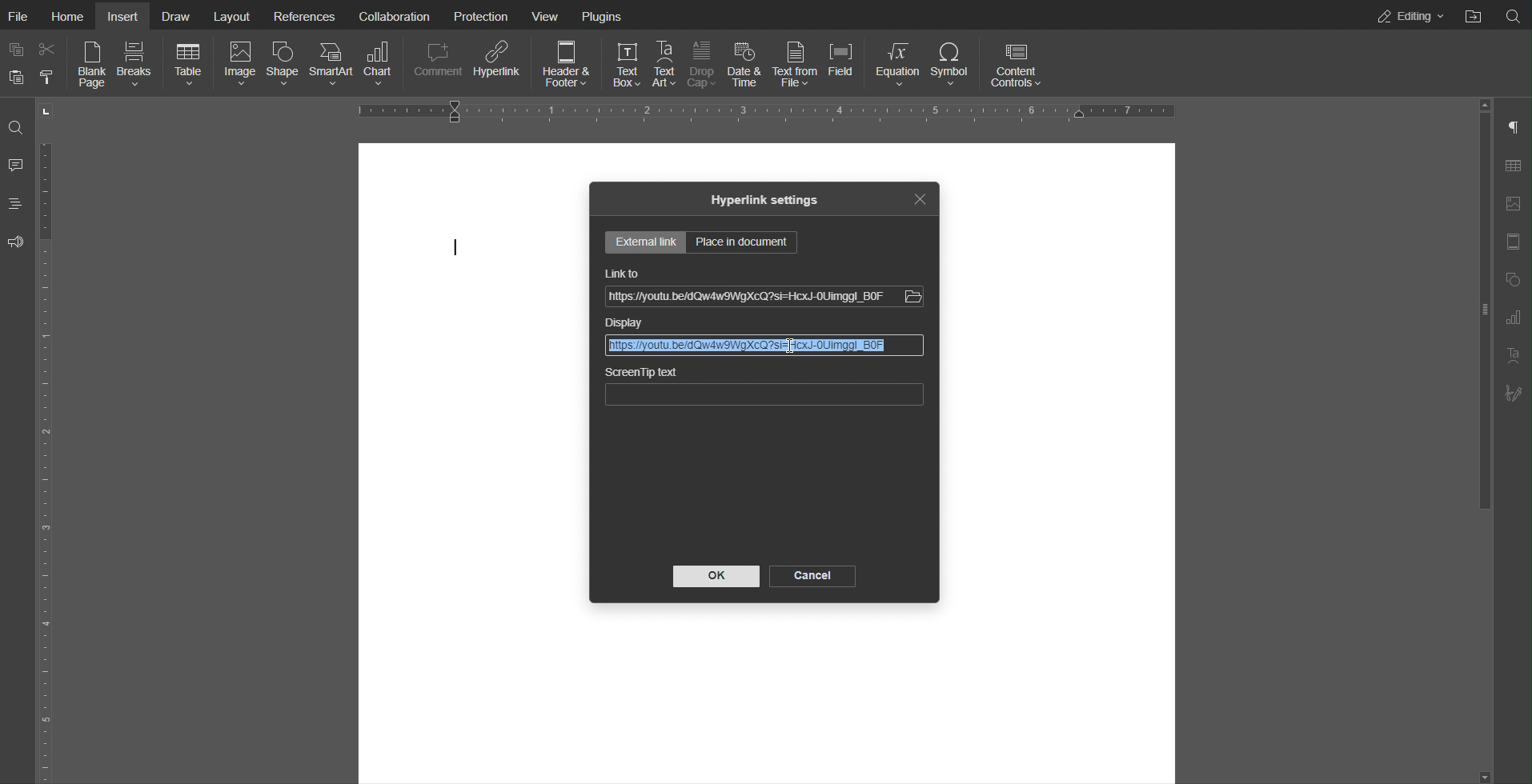  Describe the element at coordinates (235, 15) in the screenshot. I see `Layout` at that location.